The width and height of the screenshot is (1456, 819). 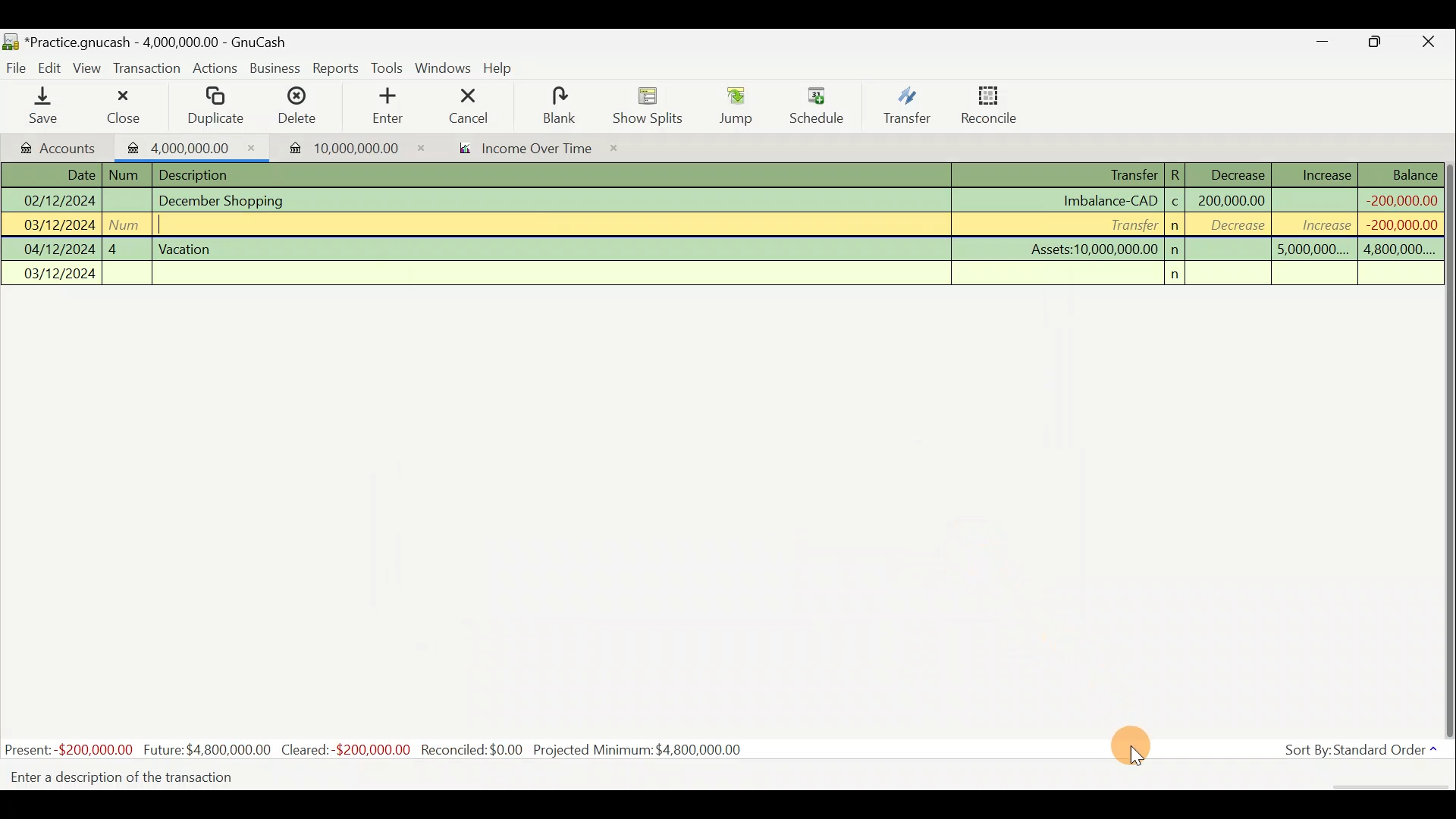 I want to click on Reports, so click(x=335, y=68).